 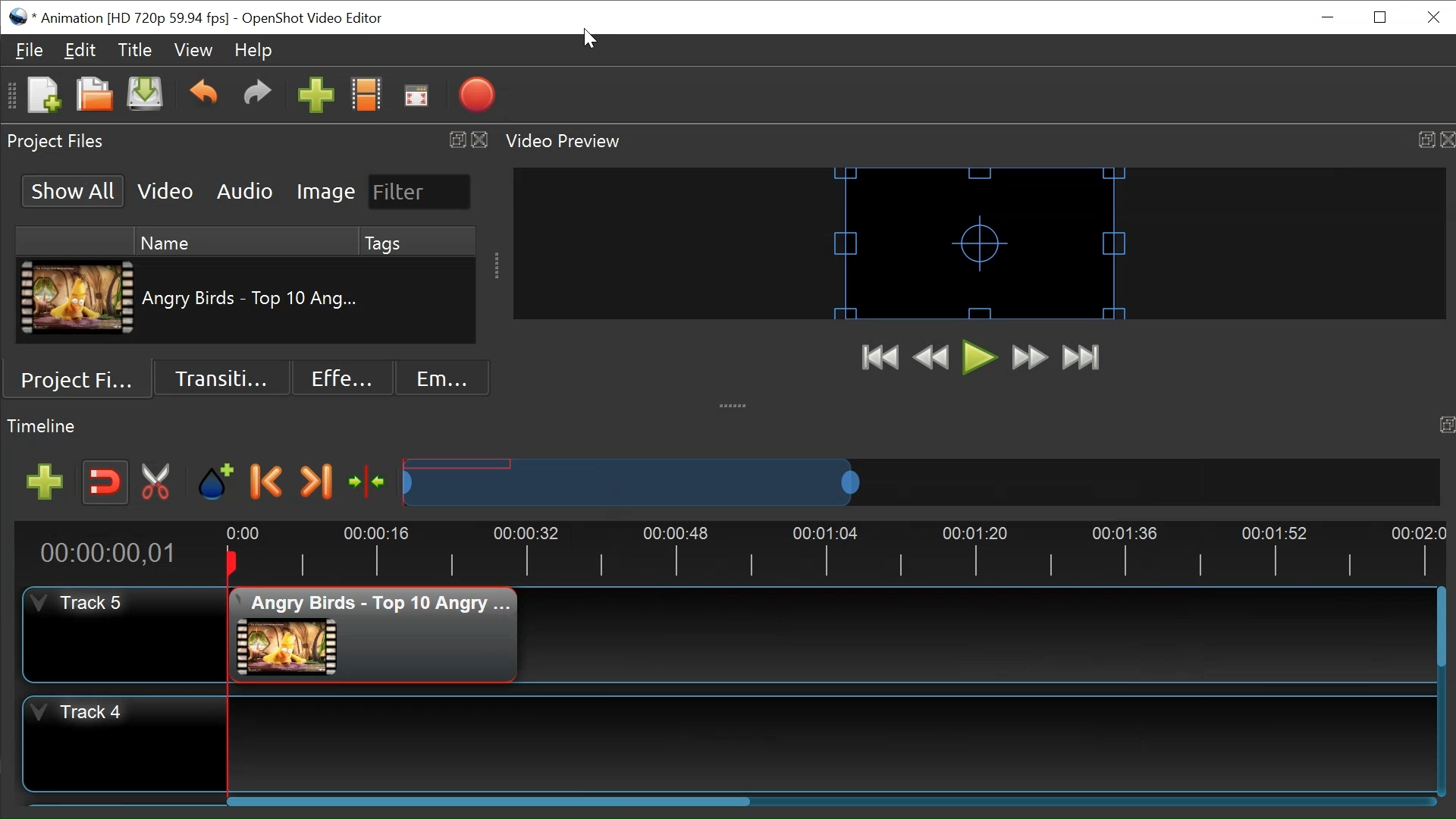 I want to click on Fast Forward, so click(x=1030, y=359).